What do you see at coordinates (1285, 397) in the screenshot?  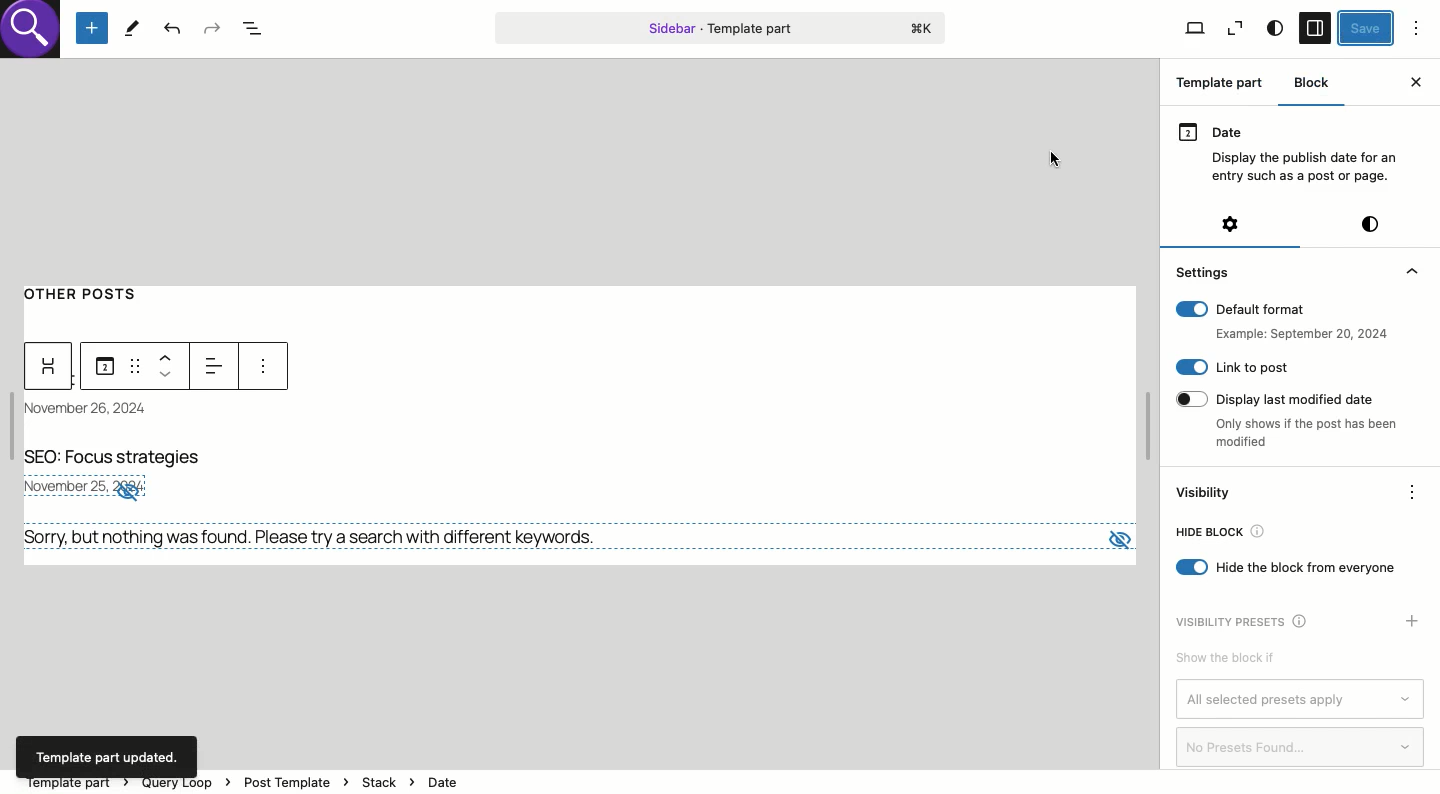 I see `Display last modified date` at bounding box center [1285, 397].